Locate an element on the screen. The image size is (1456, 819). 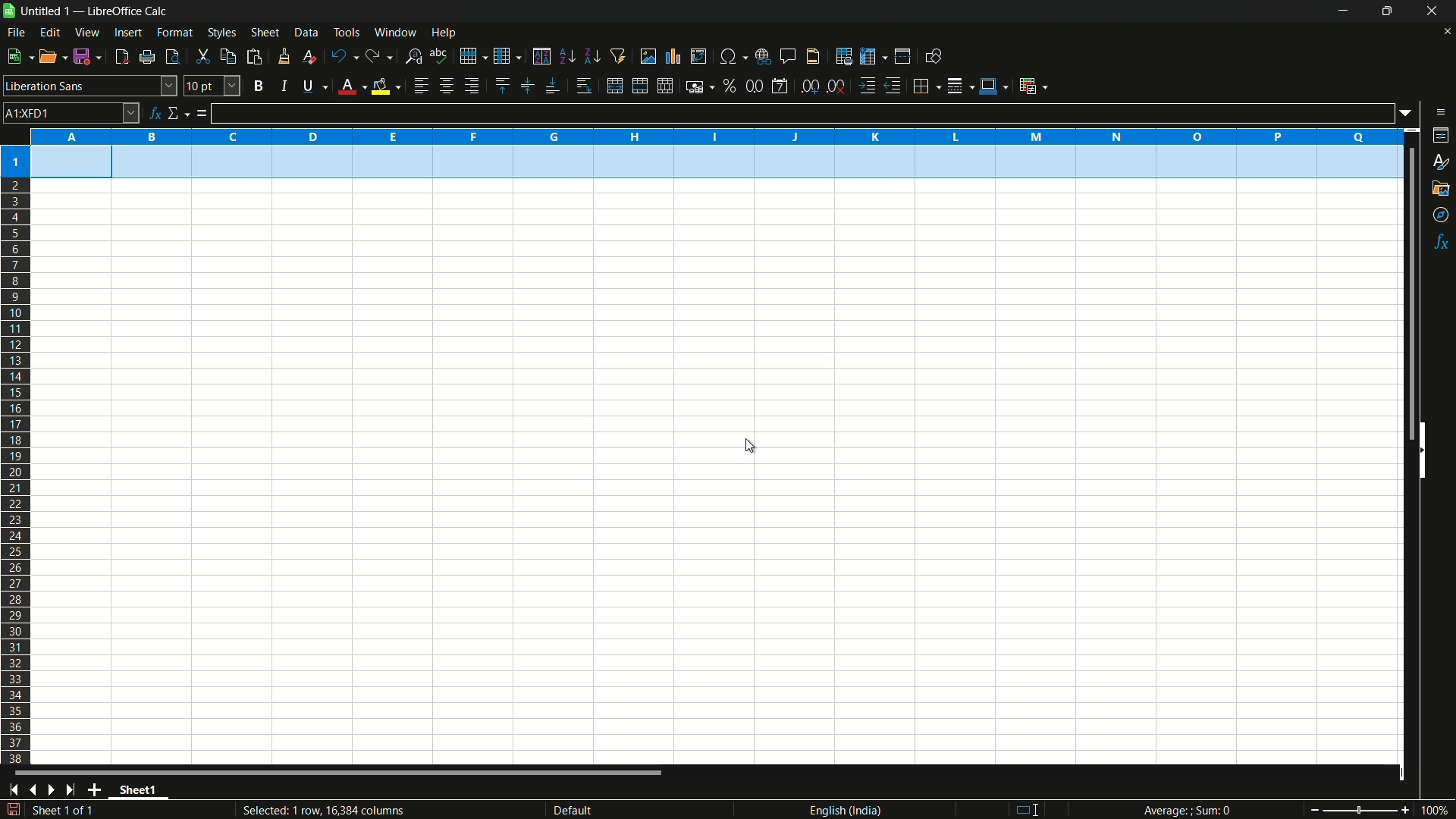
data menu is located at coordinates (306, 33).